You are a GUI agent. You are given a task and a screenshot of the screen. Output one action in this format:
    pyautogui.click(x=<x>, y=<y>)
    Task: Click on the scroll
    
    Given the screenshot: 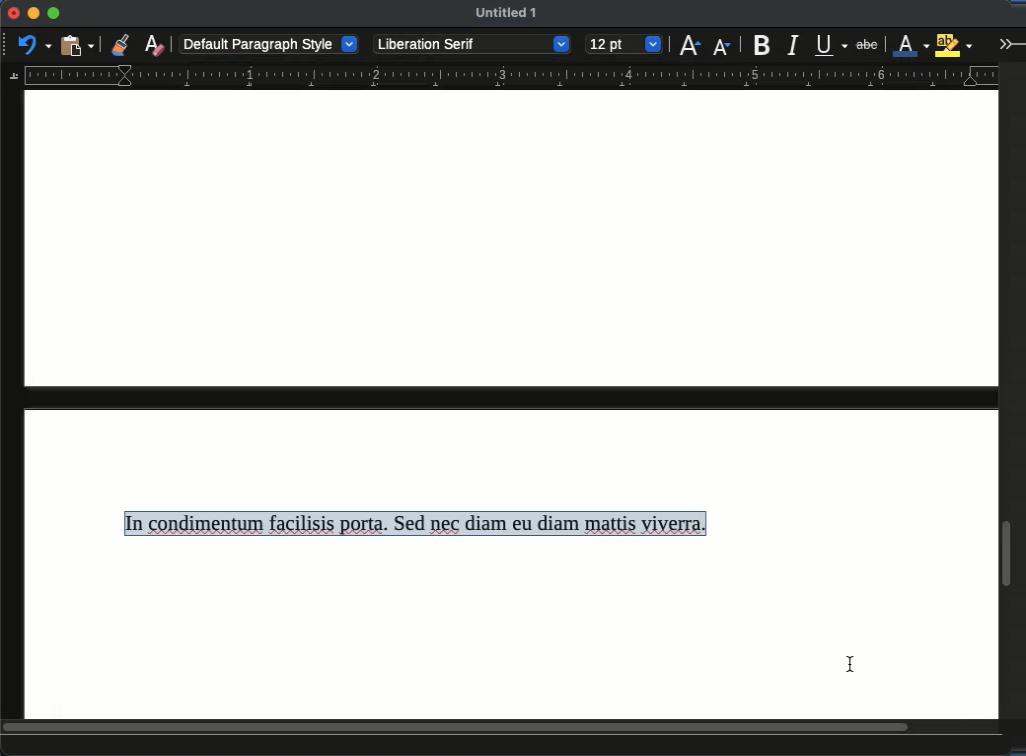 What is the action you would take?
    pyautogui.click(x=1012, y=389)
    